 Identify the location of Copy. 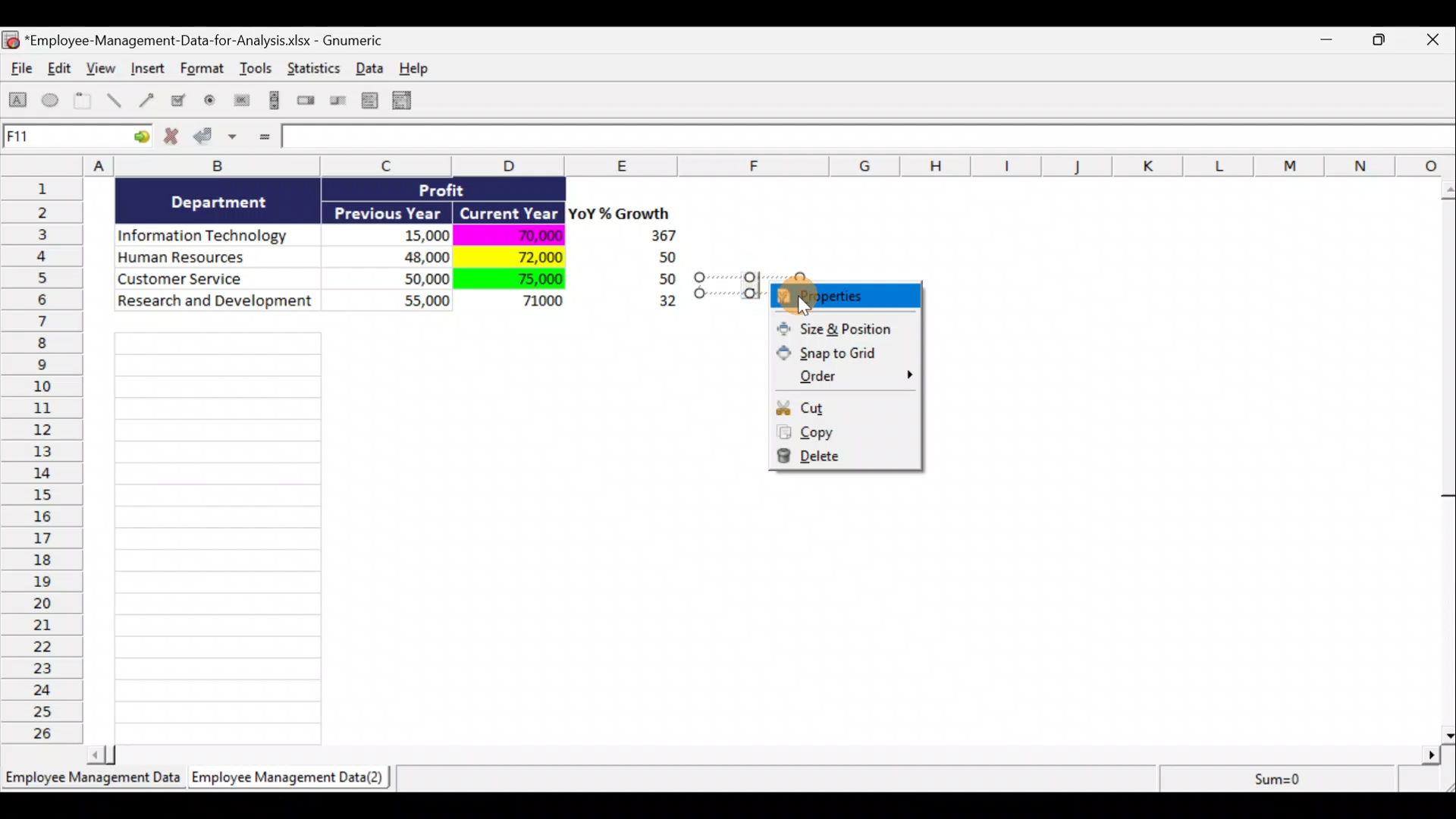
(846, 435).